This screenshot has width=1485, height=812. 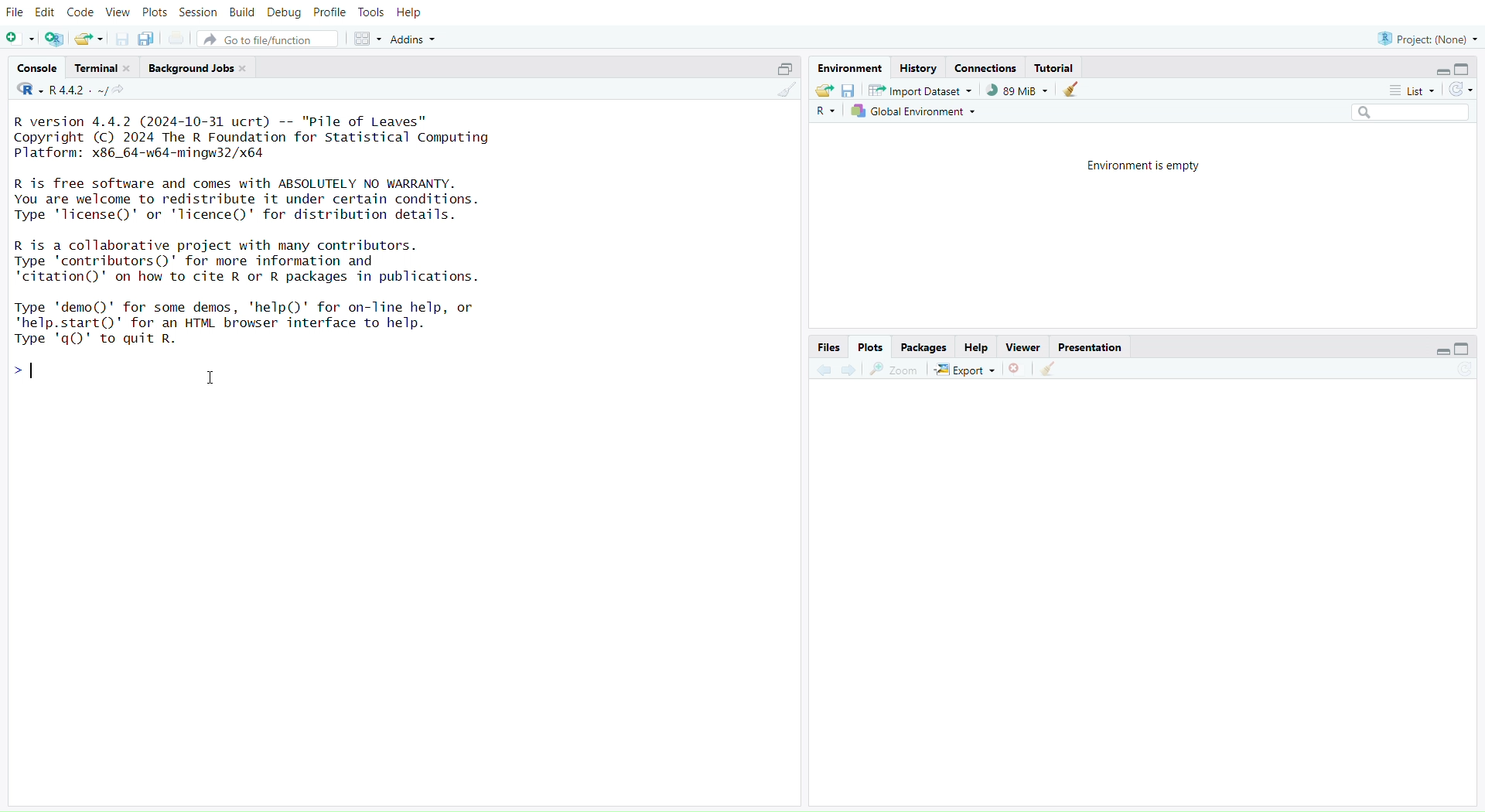 What do you see at coordinates (925, 345) in the screenshot?
I see `Packages` at bounding box center [925, 345].